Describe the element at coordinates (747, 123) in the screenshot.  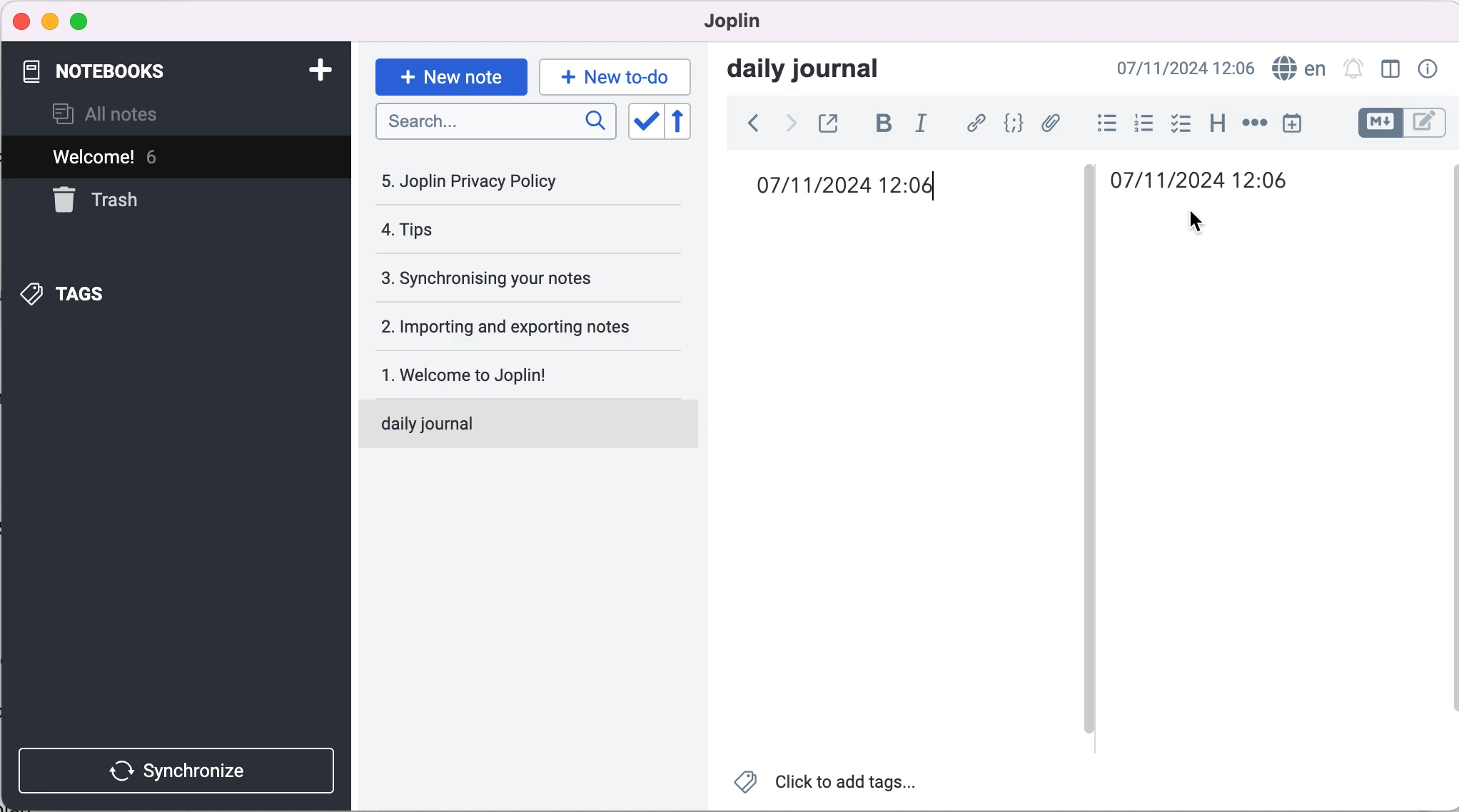
I see `back` at that location.